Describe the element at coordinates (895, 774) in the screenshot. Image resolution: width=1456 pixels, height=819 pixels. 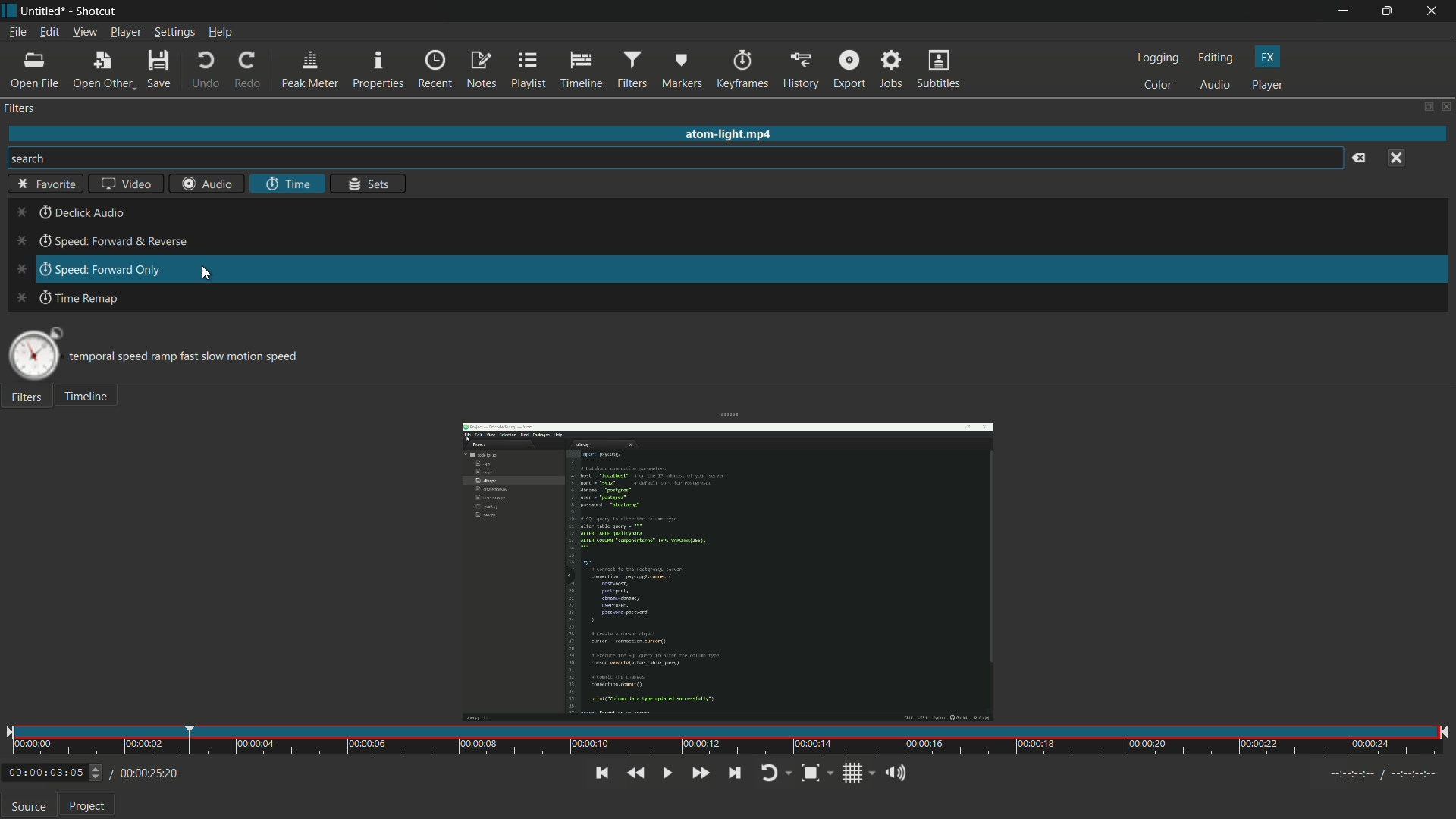
I see `show volume  control` at that location.